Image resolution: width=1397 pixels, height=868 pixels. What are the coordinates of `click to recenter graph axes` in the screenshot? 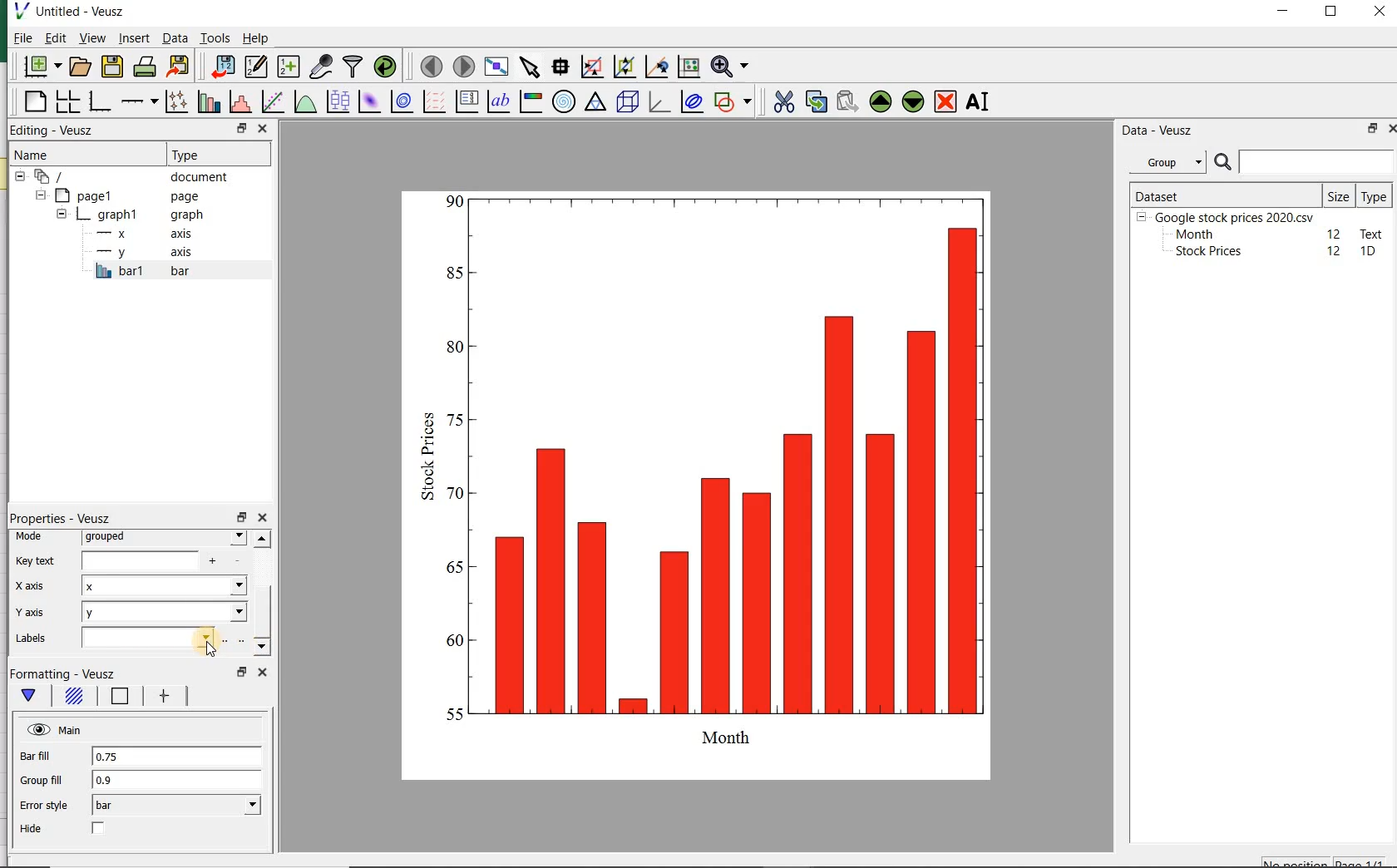 It's located at (654, 67).